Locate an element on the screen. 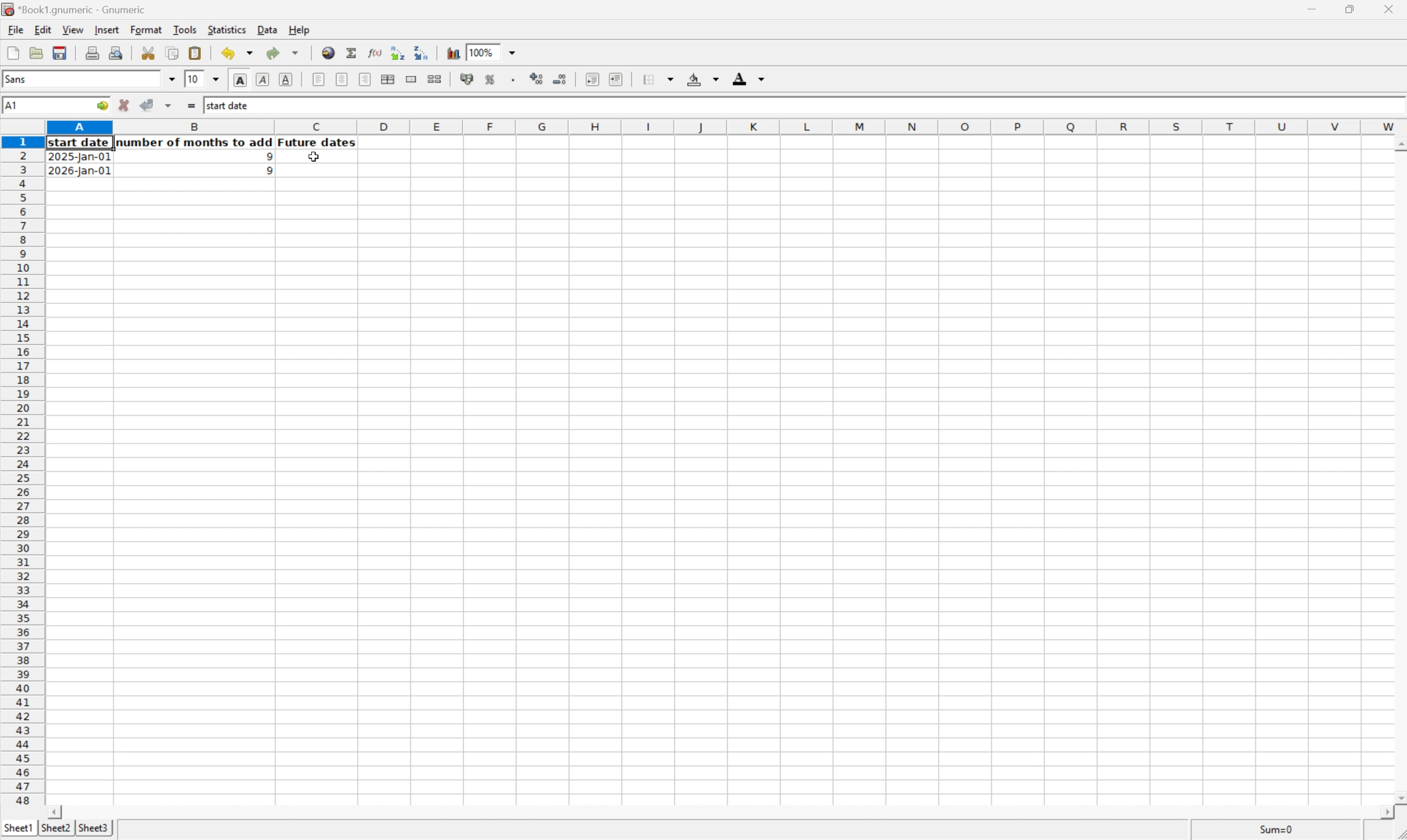 The width and height of the screenshot is (1407, 840). 10 is located at coordinates (194, 79).